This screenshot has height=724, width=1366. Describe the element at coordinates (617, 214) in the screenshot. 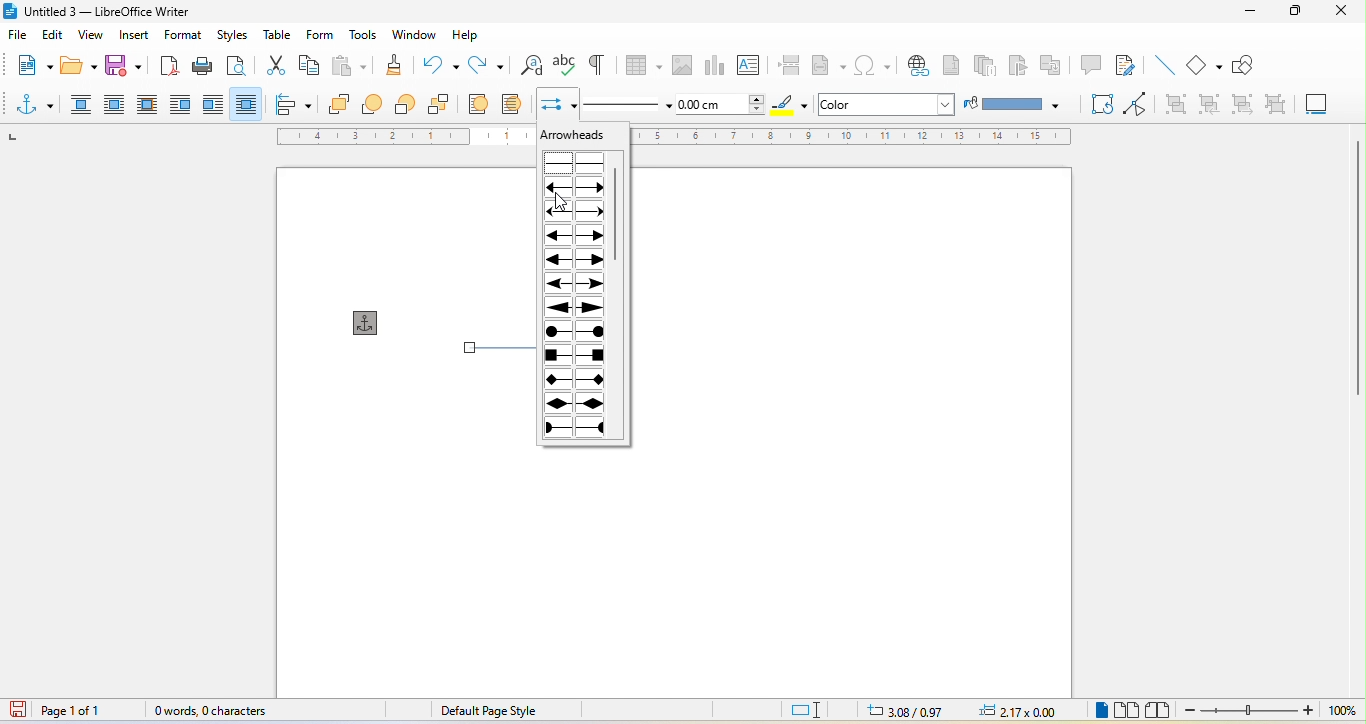

I see `vertical scroll bar` at that location.